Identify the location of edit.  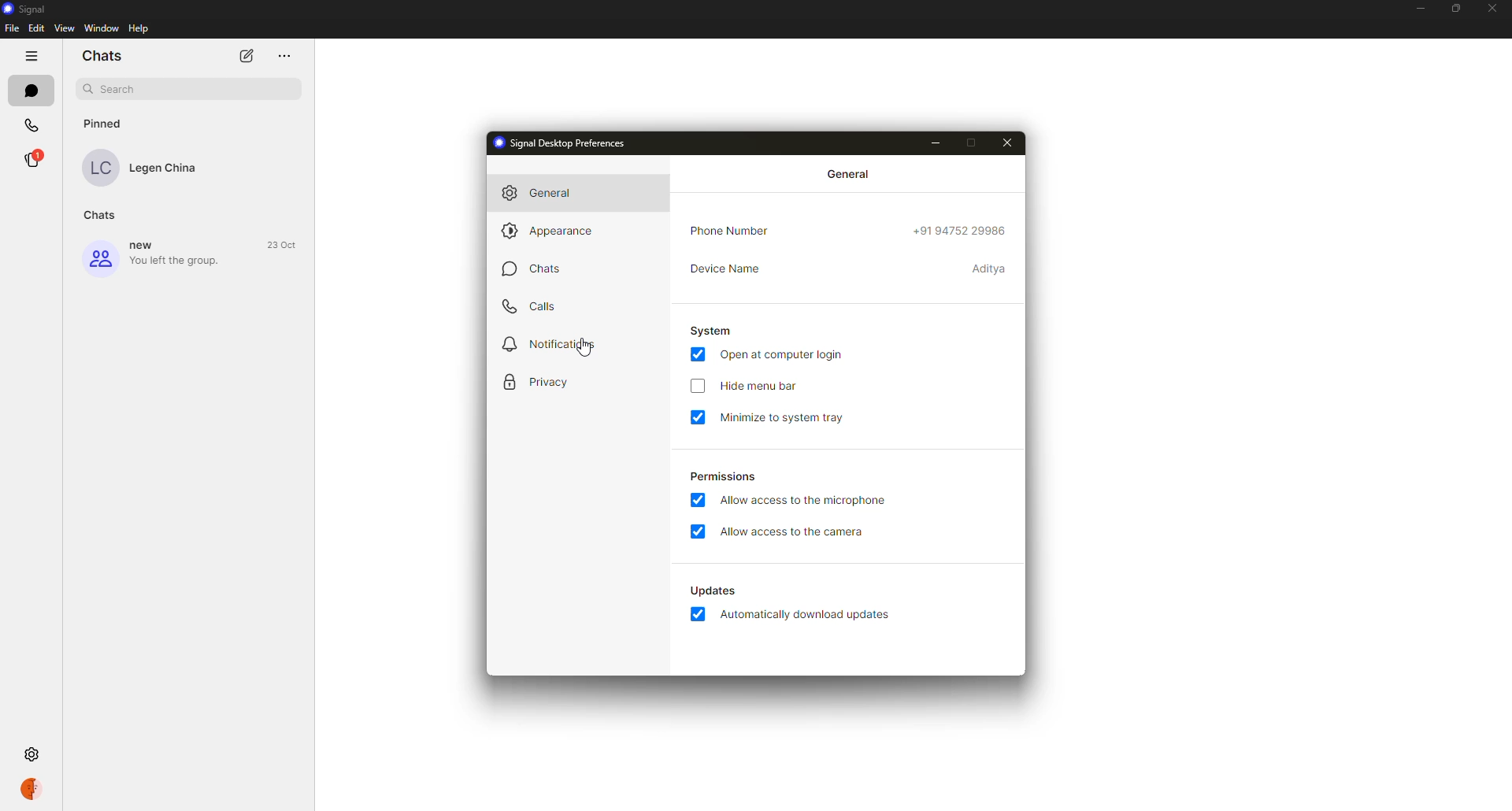
(246, 55).